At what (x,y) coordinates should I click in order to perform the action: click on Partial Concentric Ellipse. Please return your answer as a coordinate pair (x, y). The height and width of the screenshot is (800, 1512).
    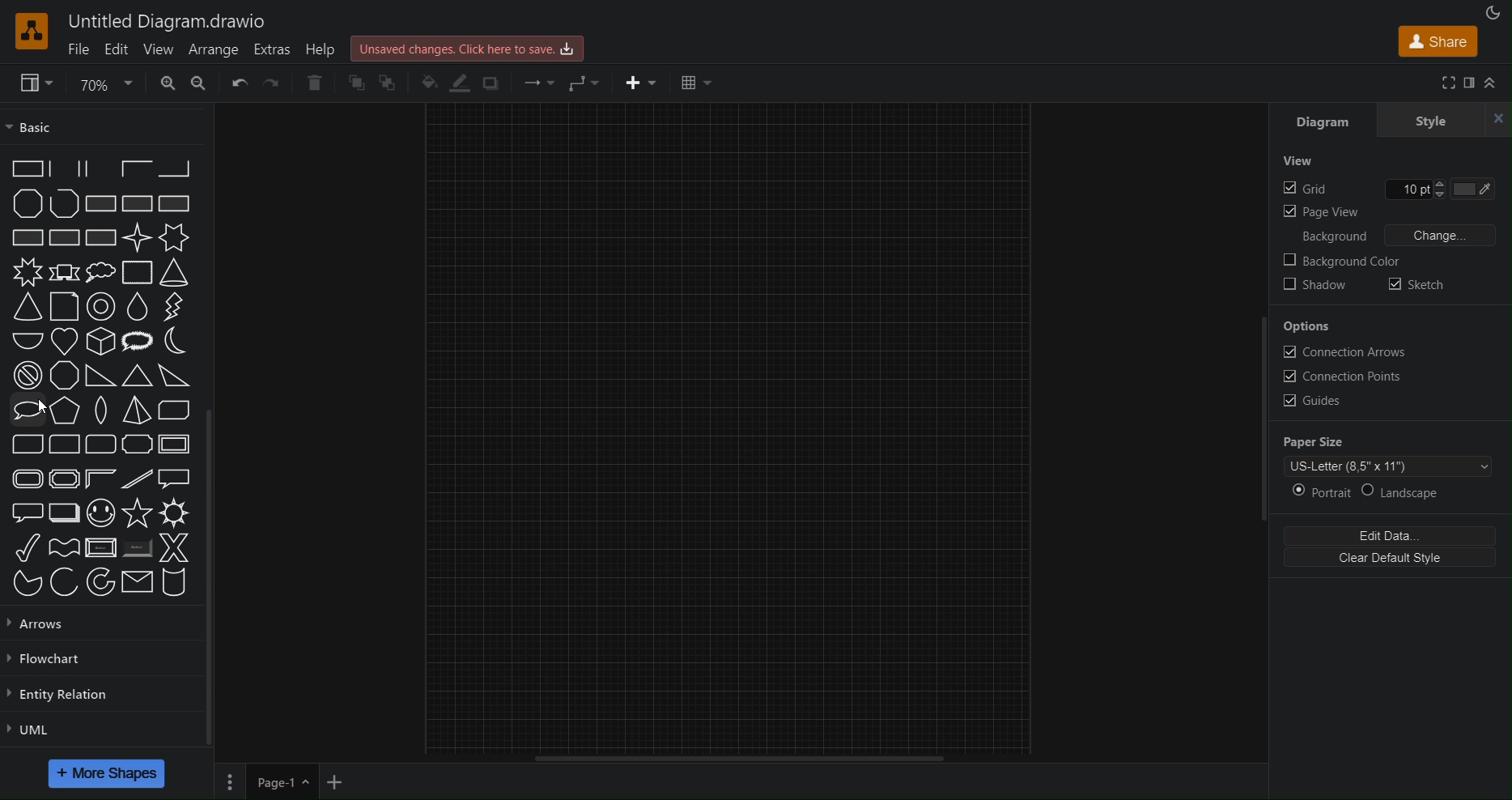
    Looking at the image, I should click on (100, 583).